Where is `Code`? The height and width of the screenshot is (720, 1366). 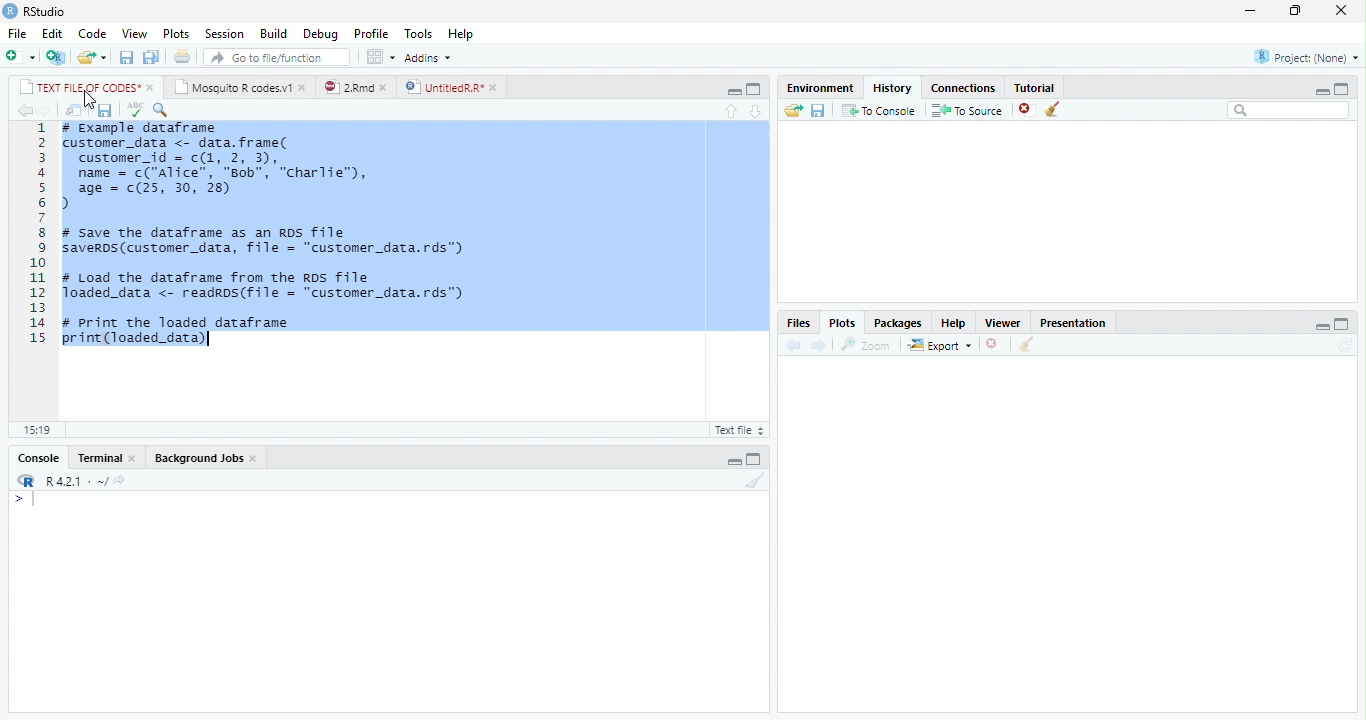
Code is located at coordinates (92, 34).